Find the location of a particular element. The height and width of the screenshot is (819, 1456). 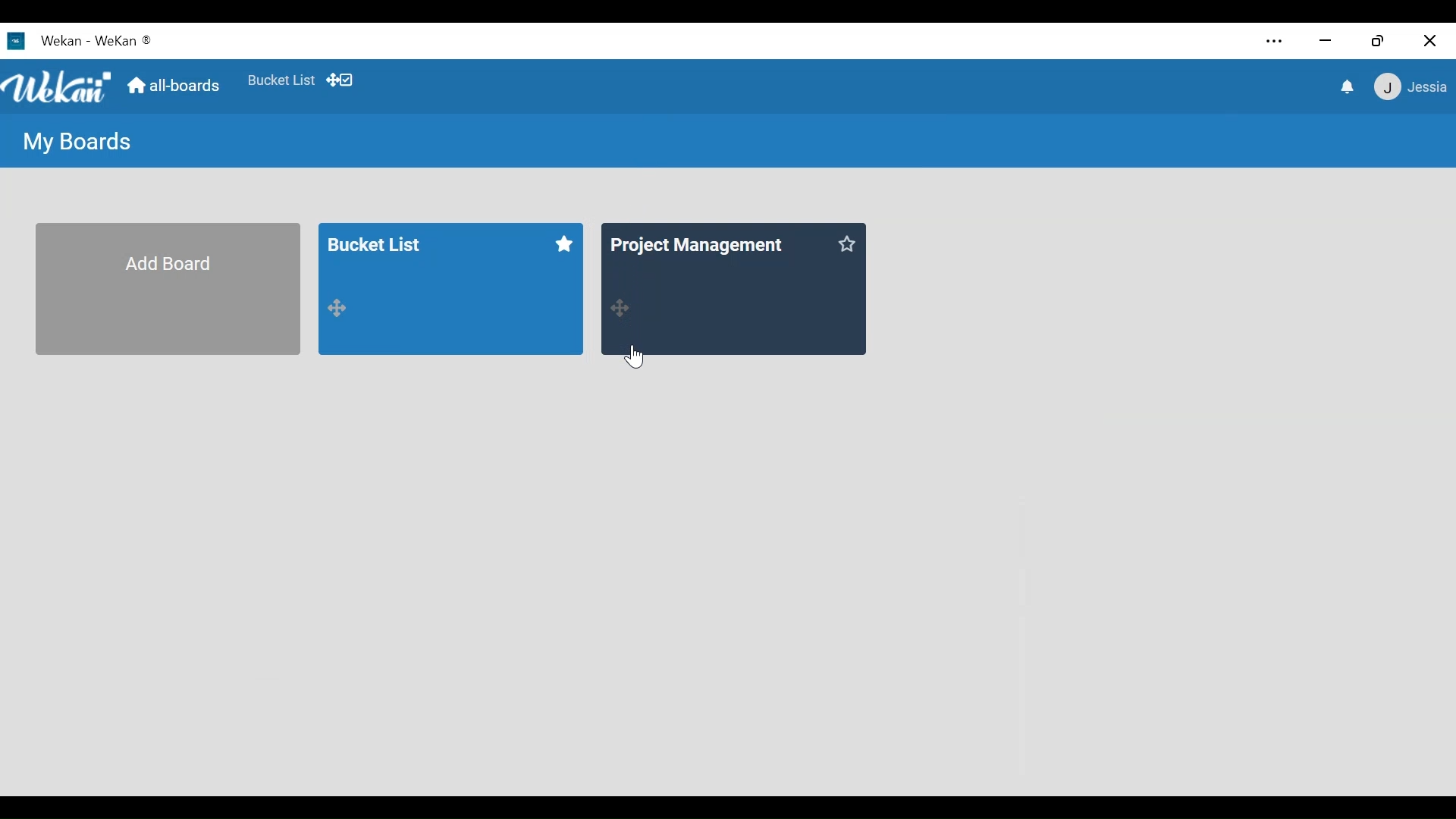

Wekan Desktop icon is located at coordinates (78, 40).